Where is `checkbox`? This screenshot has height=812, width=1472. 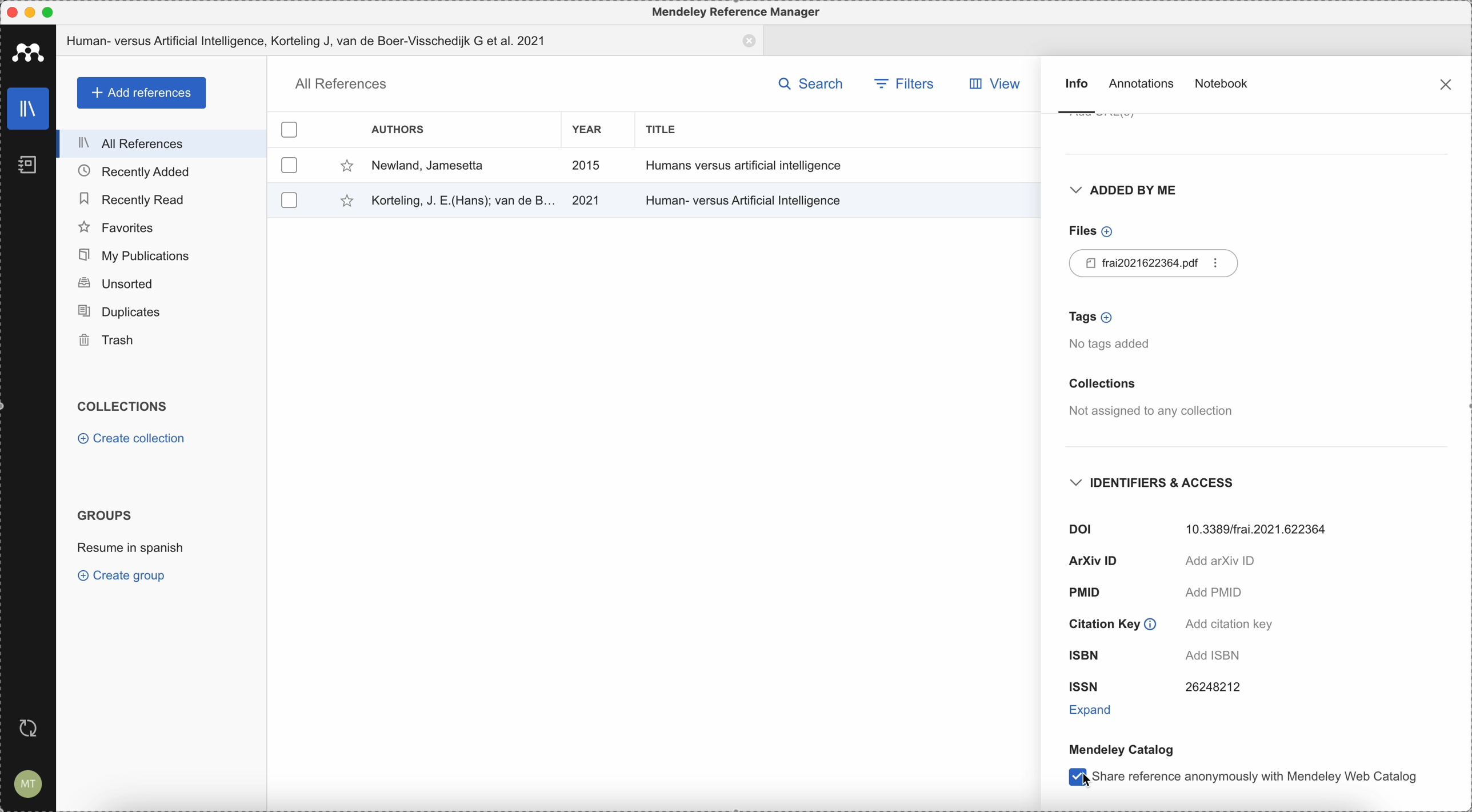 checkbox is located at coordinates (287, 199).